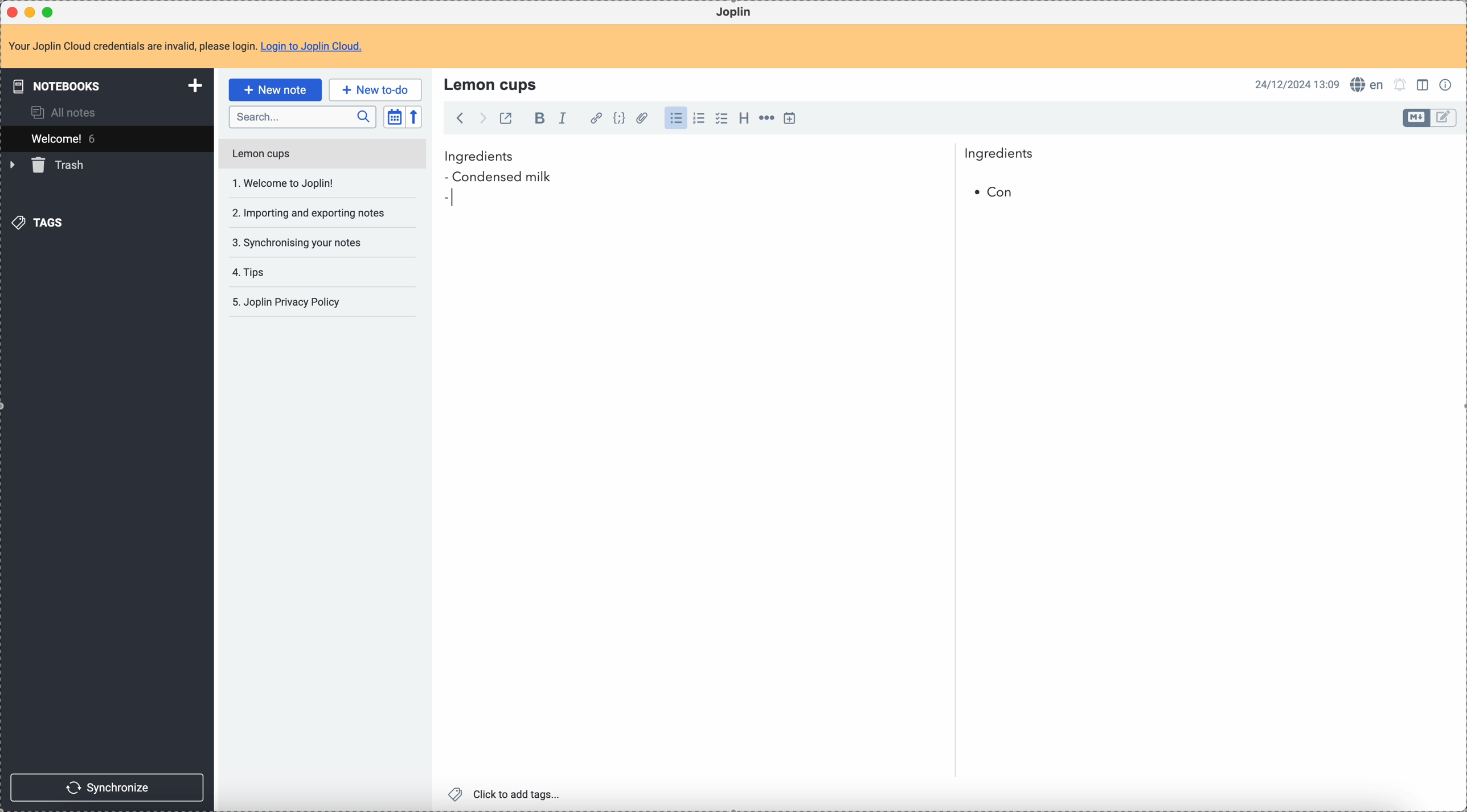  What do you see at coordinates (289, 302) in the screenshot?
I see `Joplin privacy policy note` at bounding box center [289, 302].